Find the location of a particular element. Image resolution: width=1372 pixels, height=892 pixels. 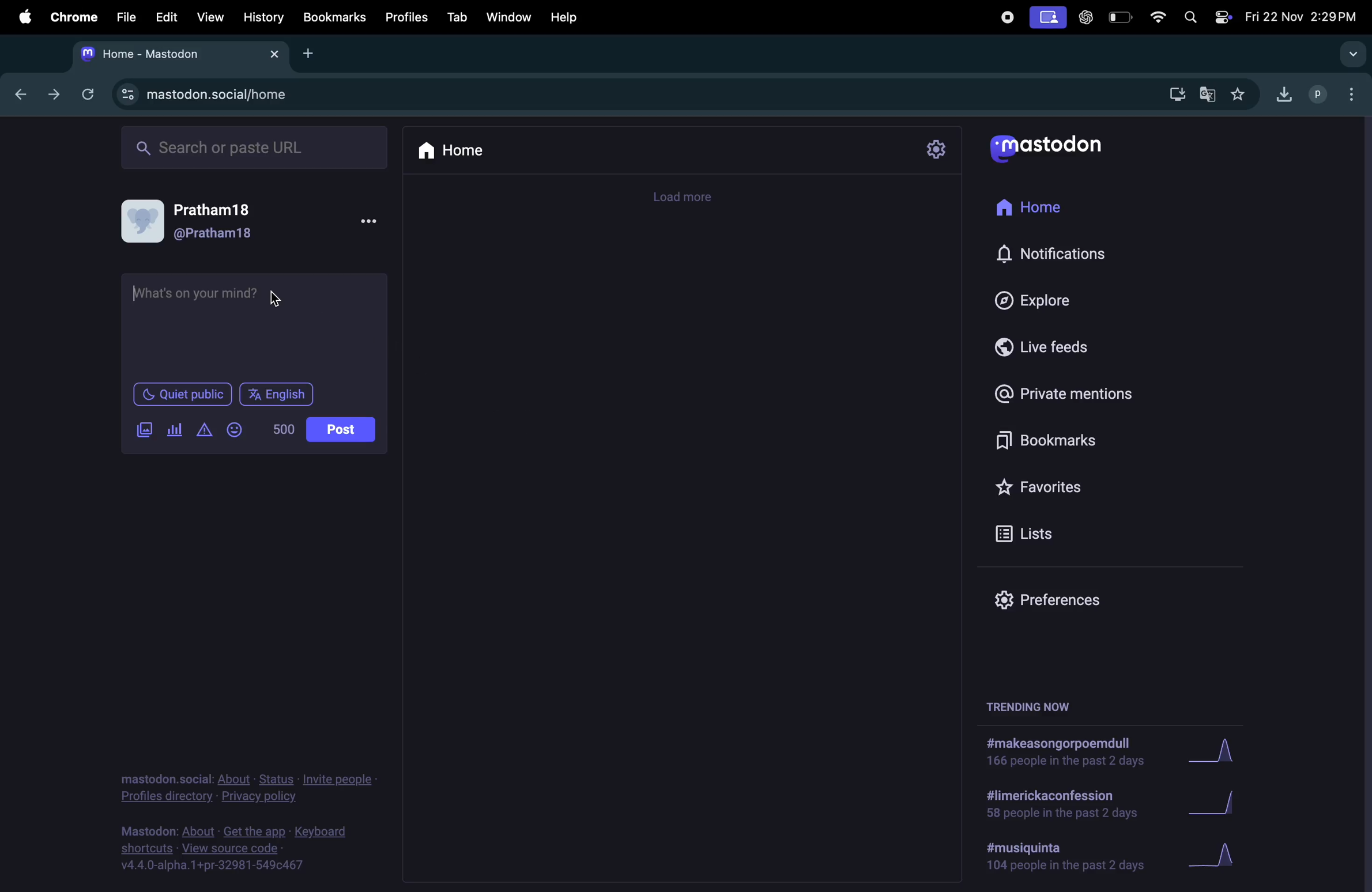

favorites is located at coordinates (1242, 95).